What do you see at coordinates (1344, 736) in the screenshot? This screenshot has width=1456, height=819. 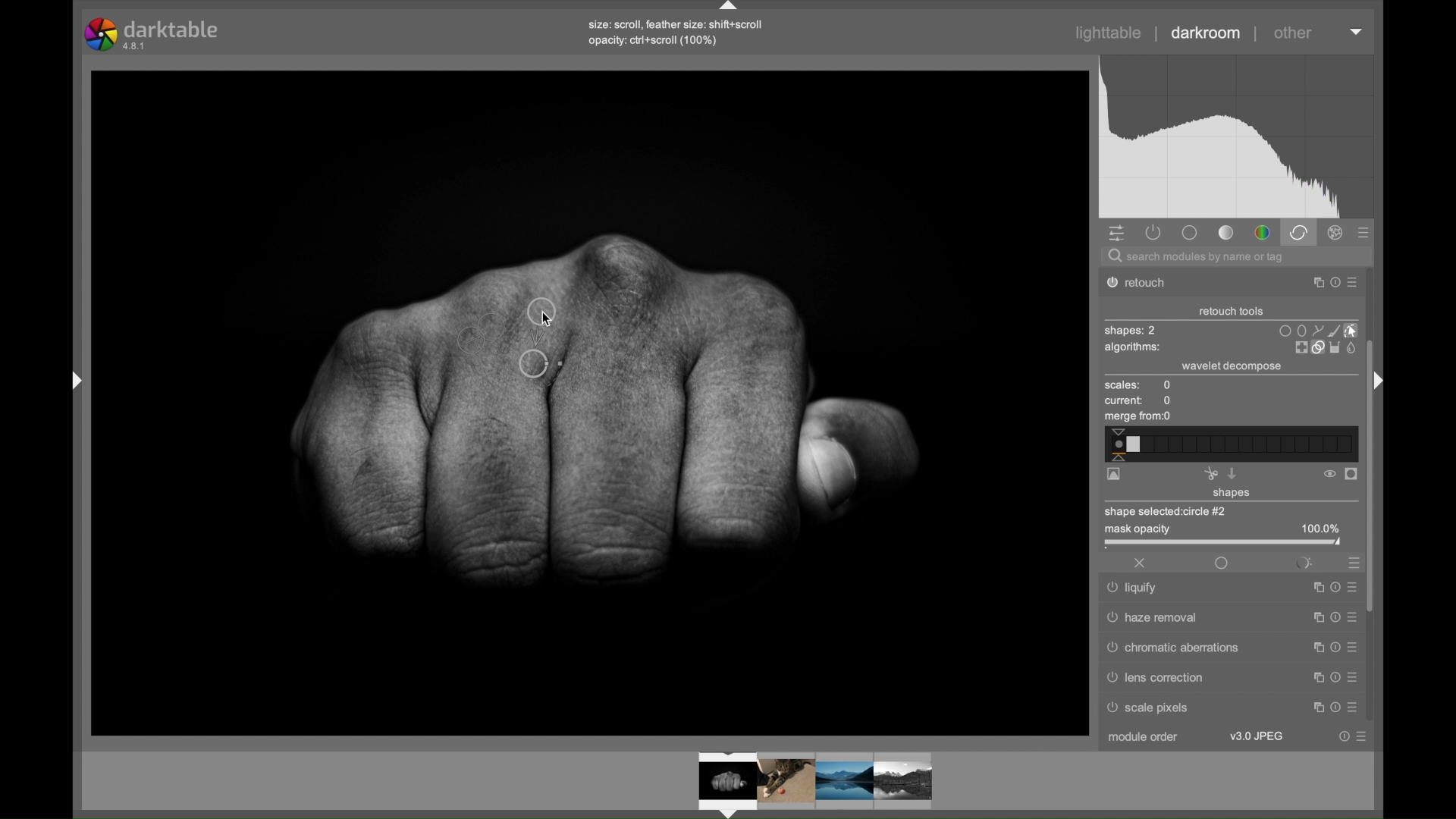 I see `help` at bounding box center [1344, 736].